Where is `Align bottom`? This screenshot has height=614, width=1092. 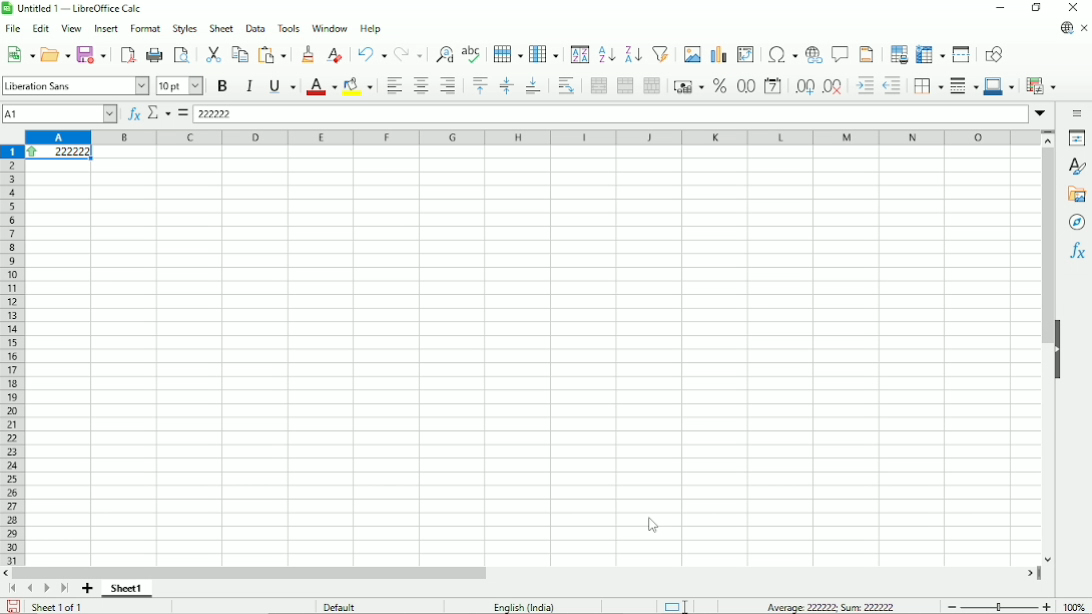 Align bottom is located at coordinates (532, 86).